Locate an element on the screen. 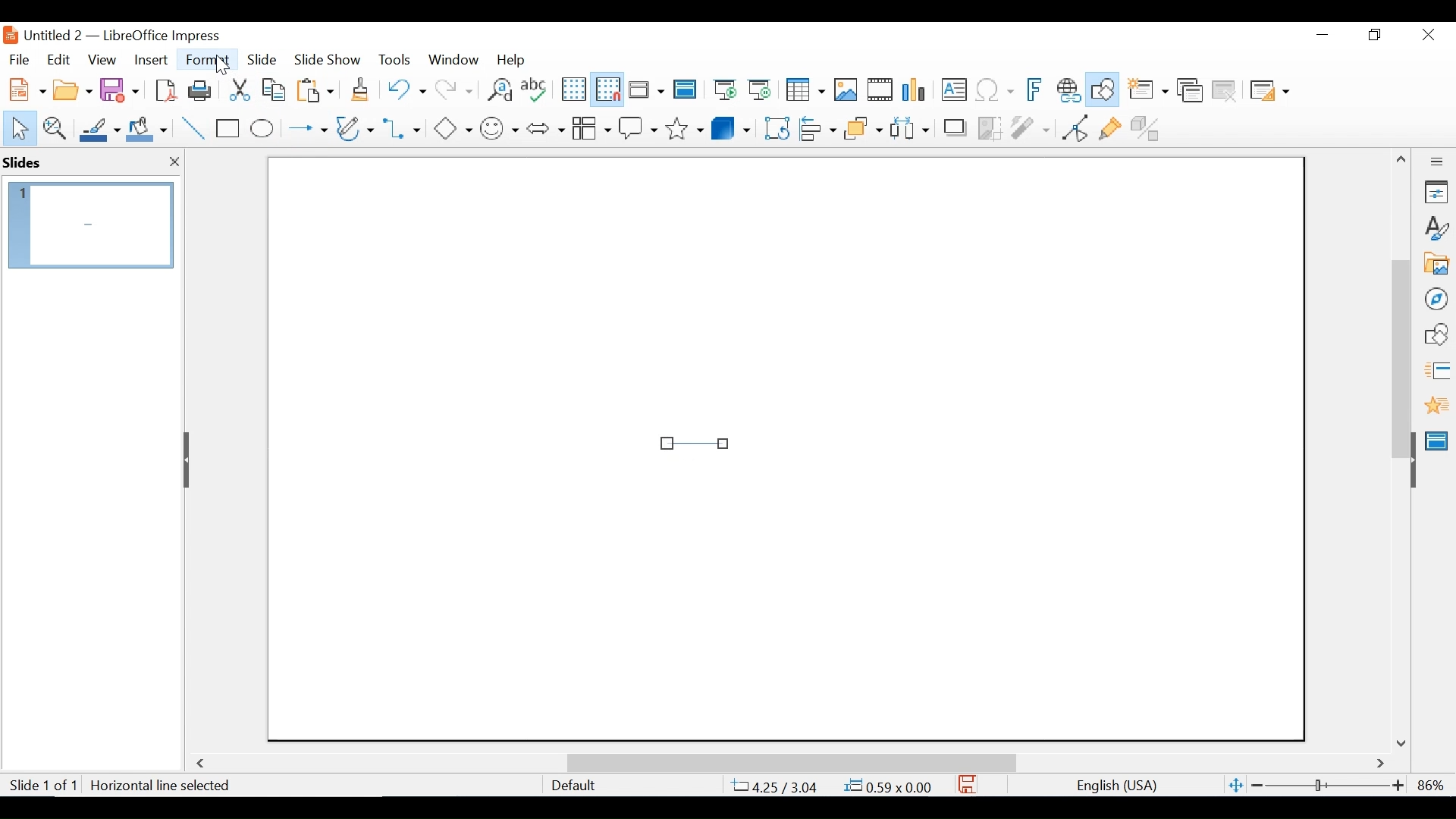  Insert Hyperlink is located at coordinates (1068, 90).